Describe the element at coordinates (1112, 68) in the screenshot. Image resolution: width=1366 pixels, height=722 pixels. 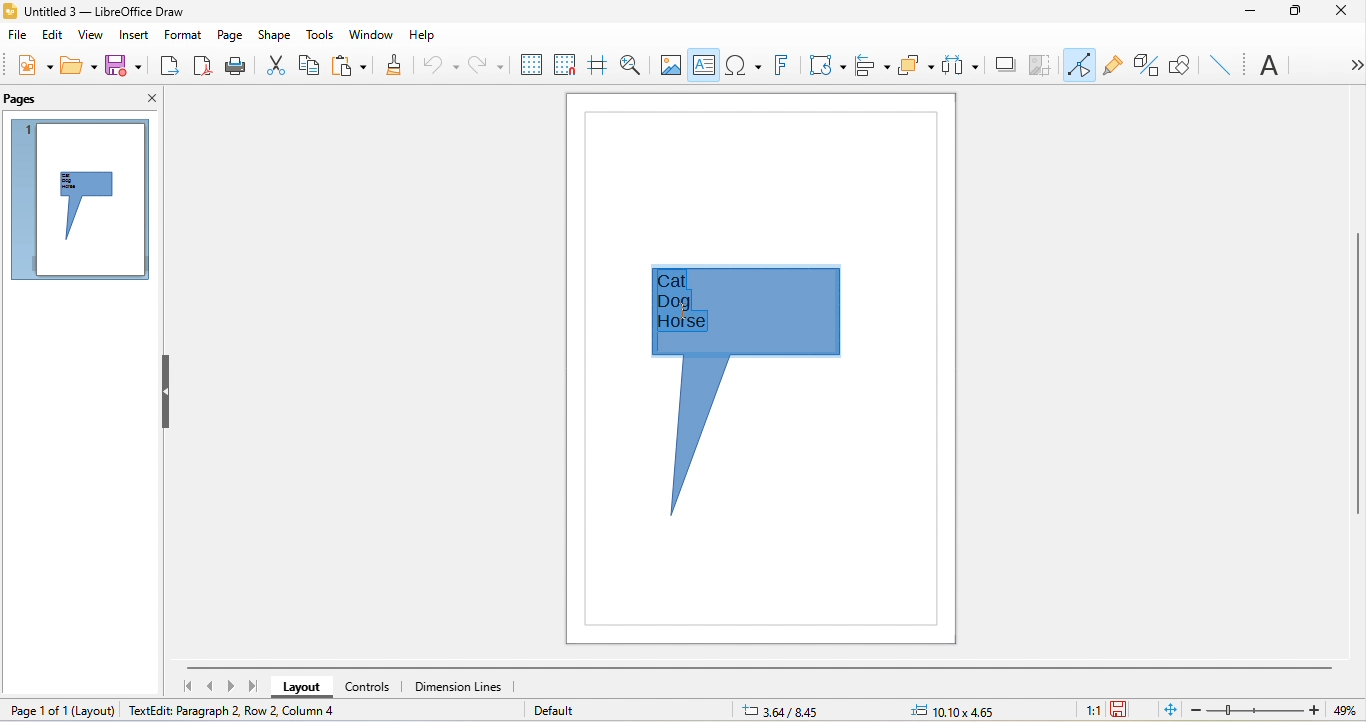
I see `gluepoint function` at that location.